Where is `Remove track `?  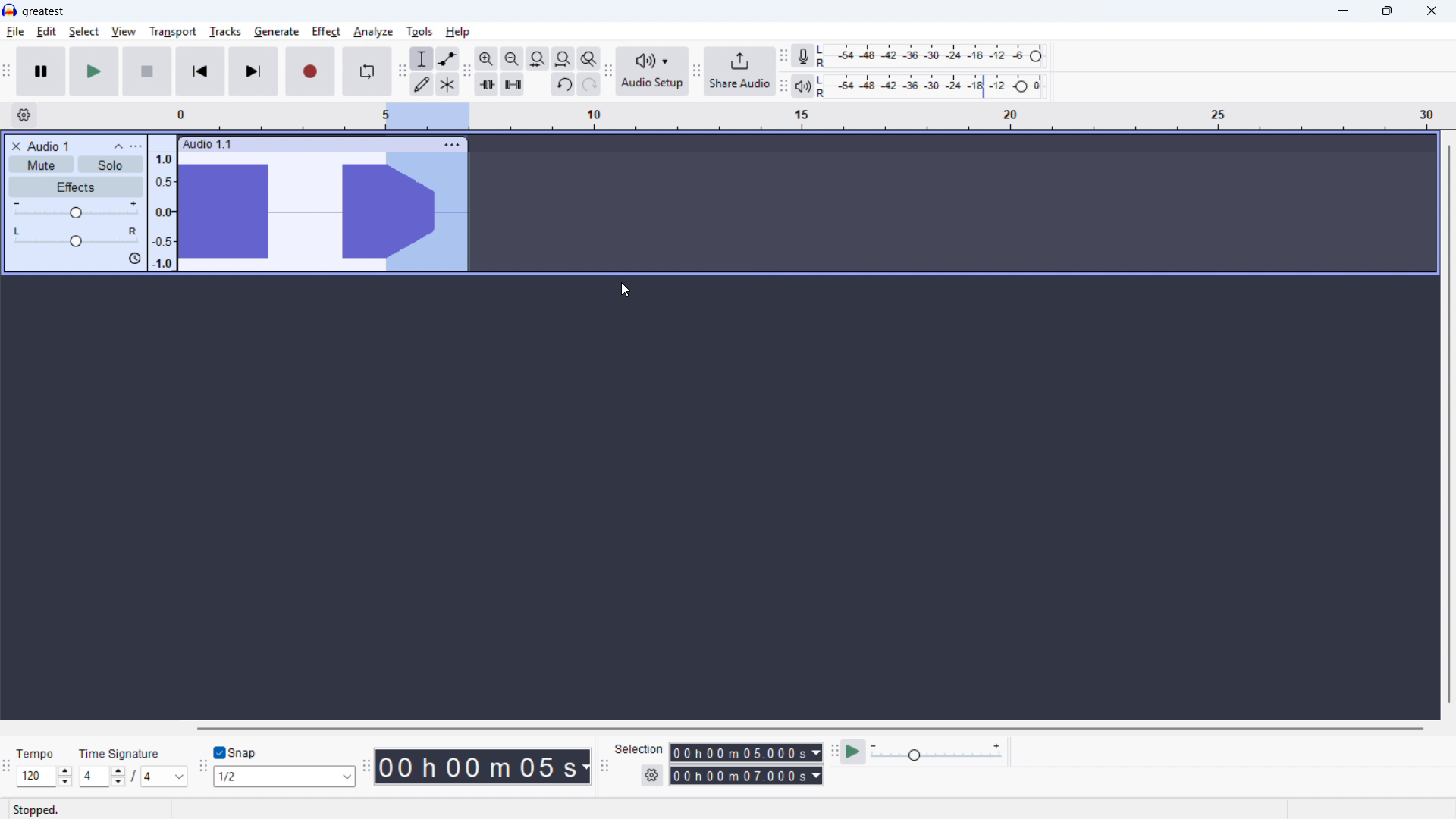 Remove track  is located at coordinates (17, 146).